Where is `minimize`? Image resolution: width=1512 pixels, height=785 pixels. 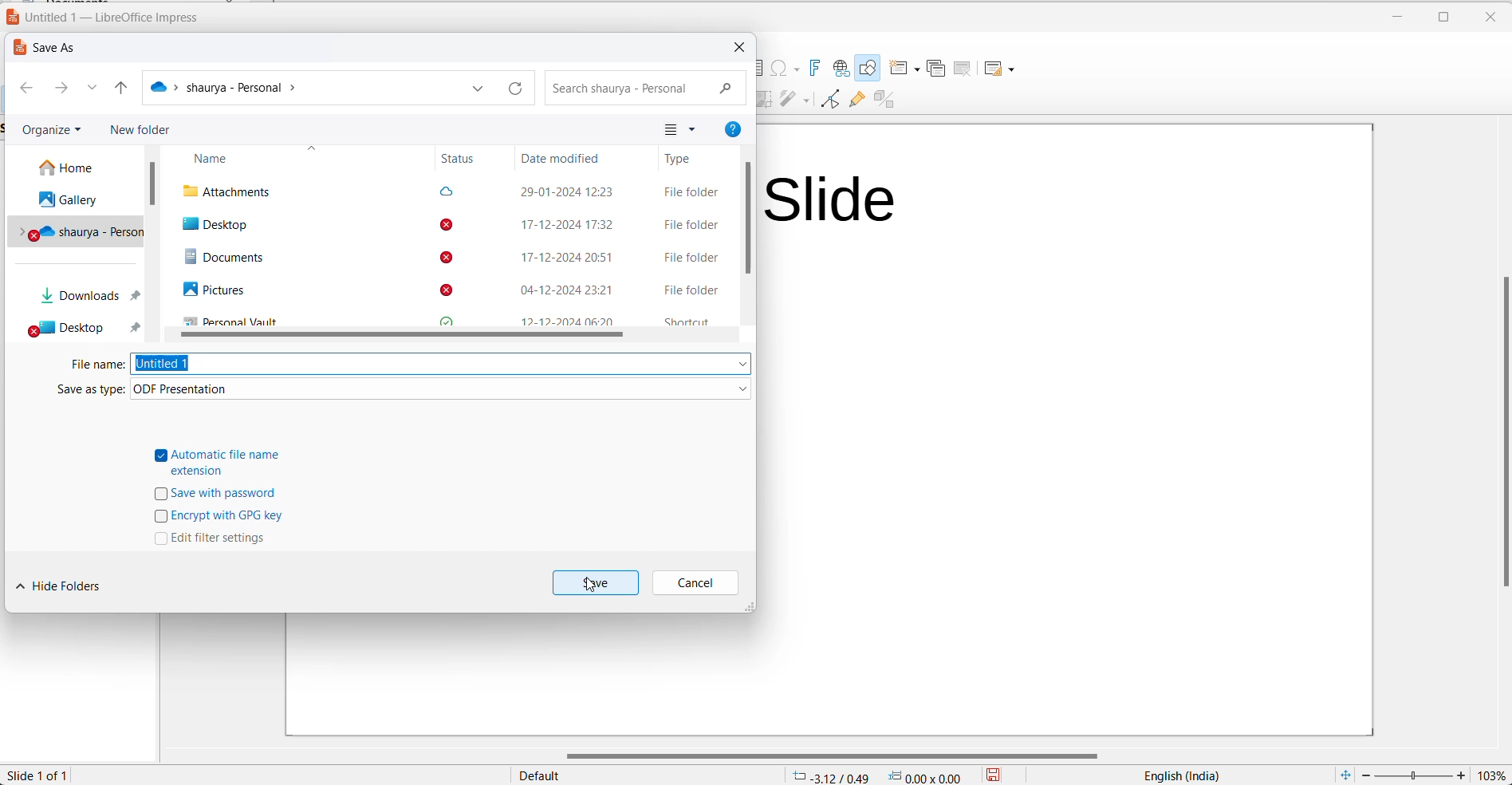
minimize is located at coordinates (1396, 20).